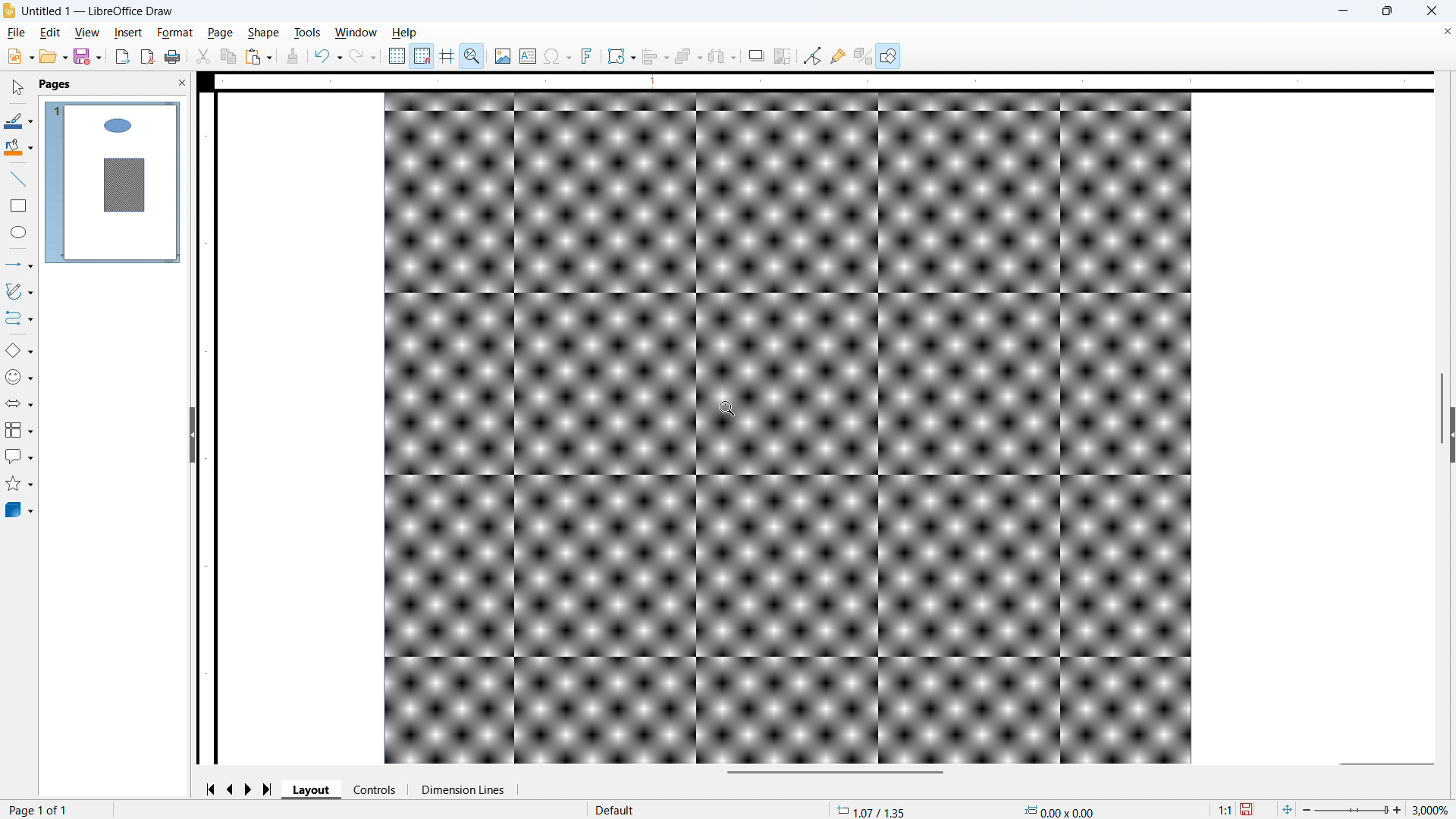 The height and width of the screenshot is (819, 1456). Describe the element at coordinates (51, 33) in the screenshot. I see `Edit ` at that location.